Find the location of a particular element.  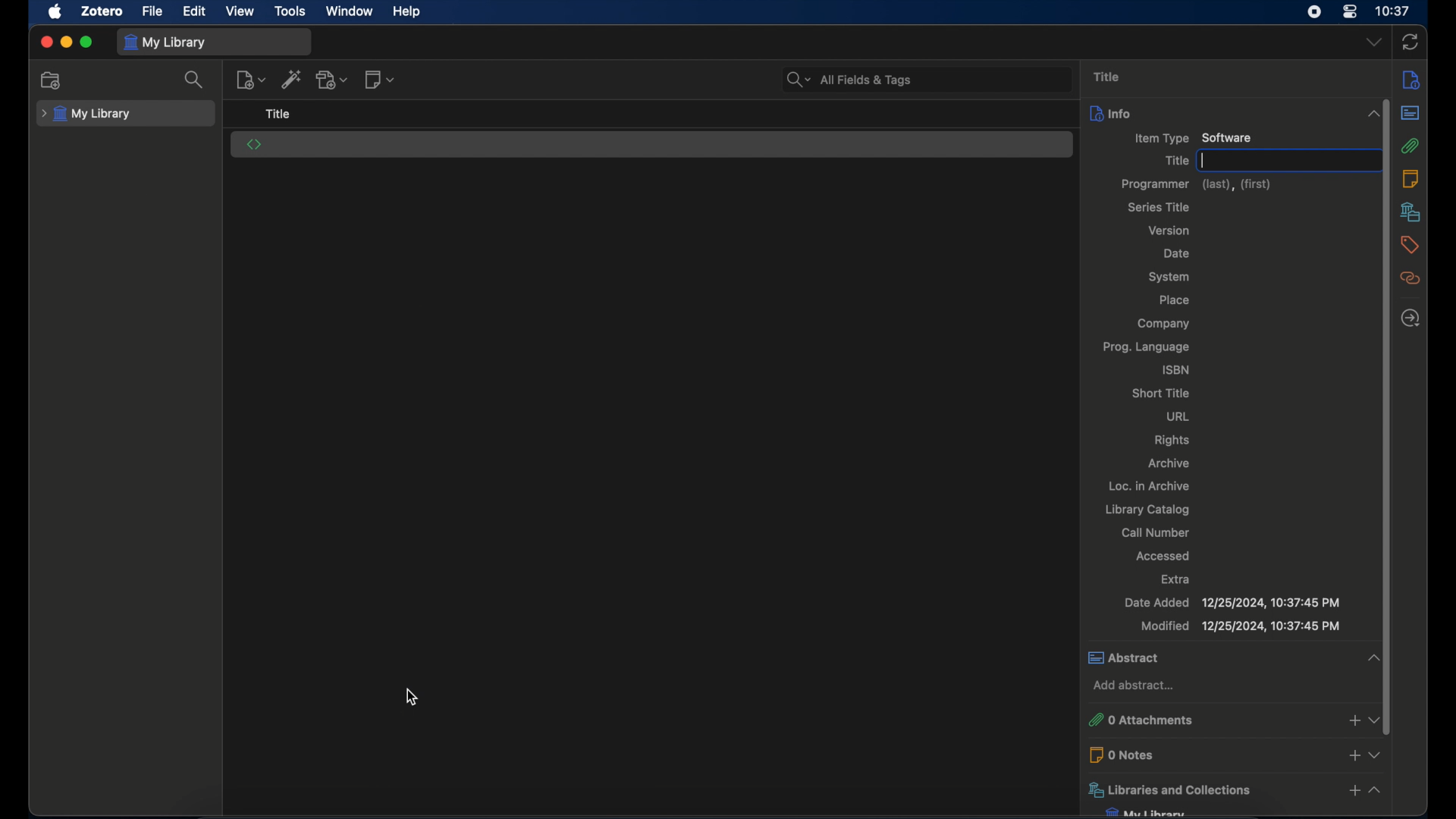

tags is located at coordinates (1410, 245).